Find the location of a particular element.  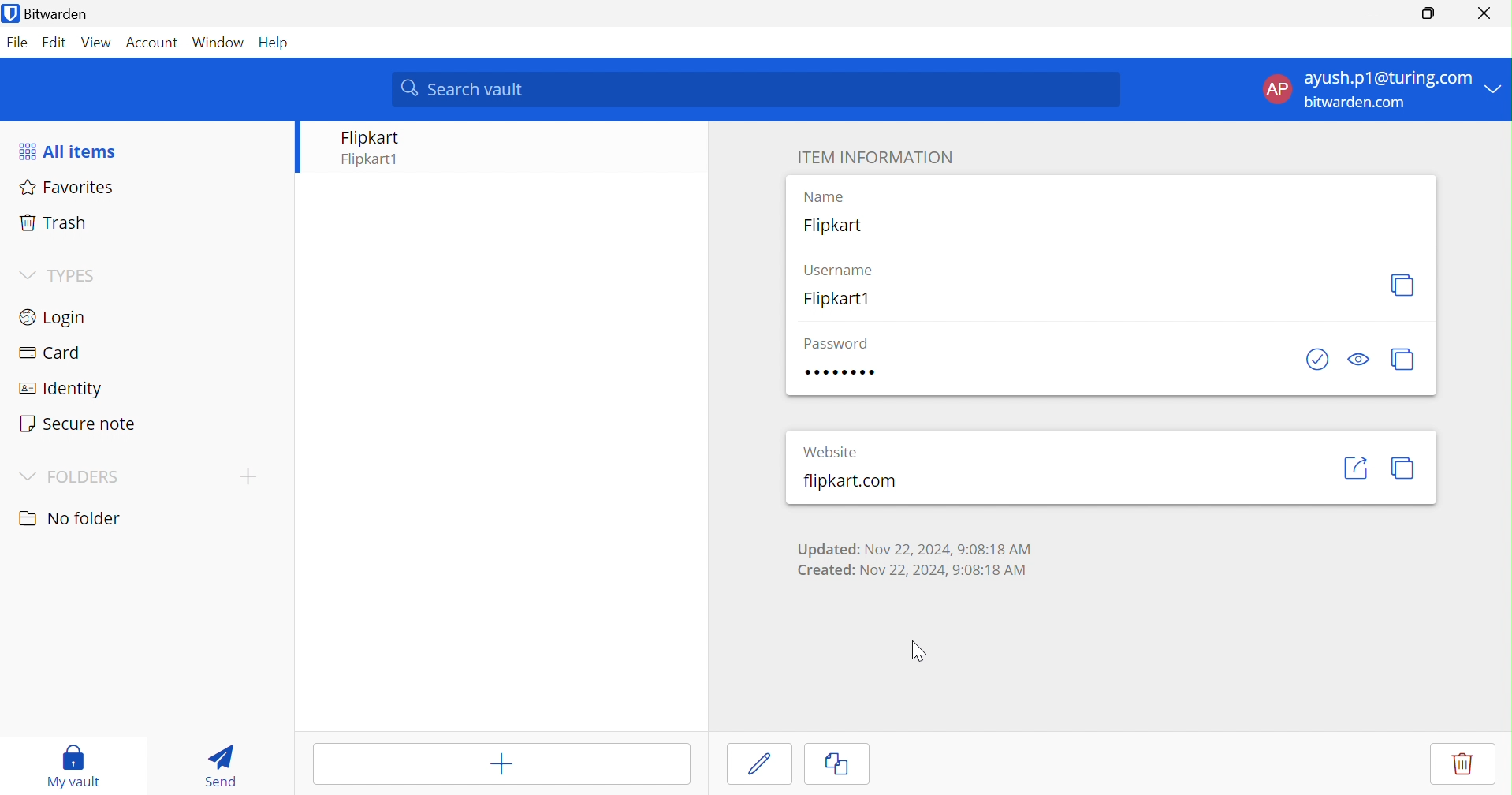

Flipkart1 is located at coordinates (374, 161).